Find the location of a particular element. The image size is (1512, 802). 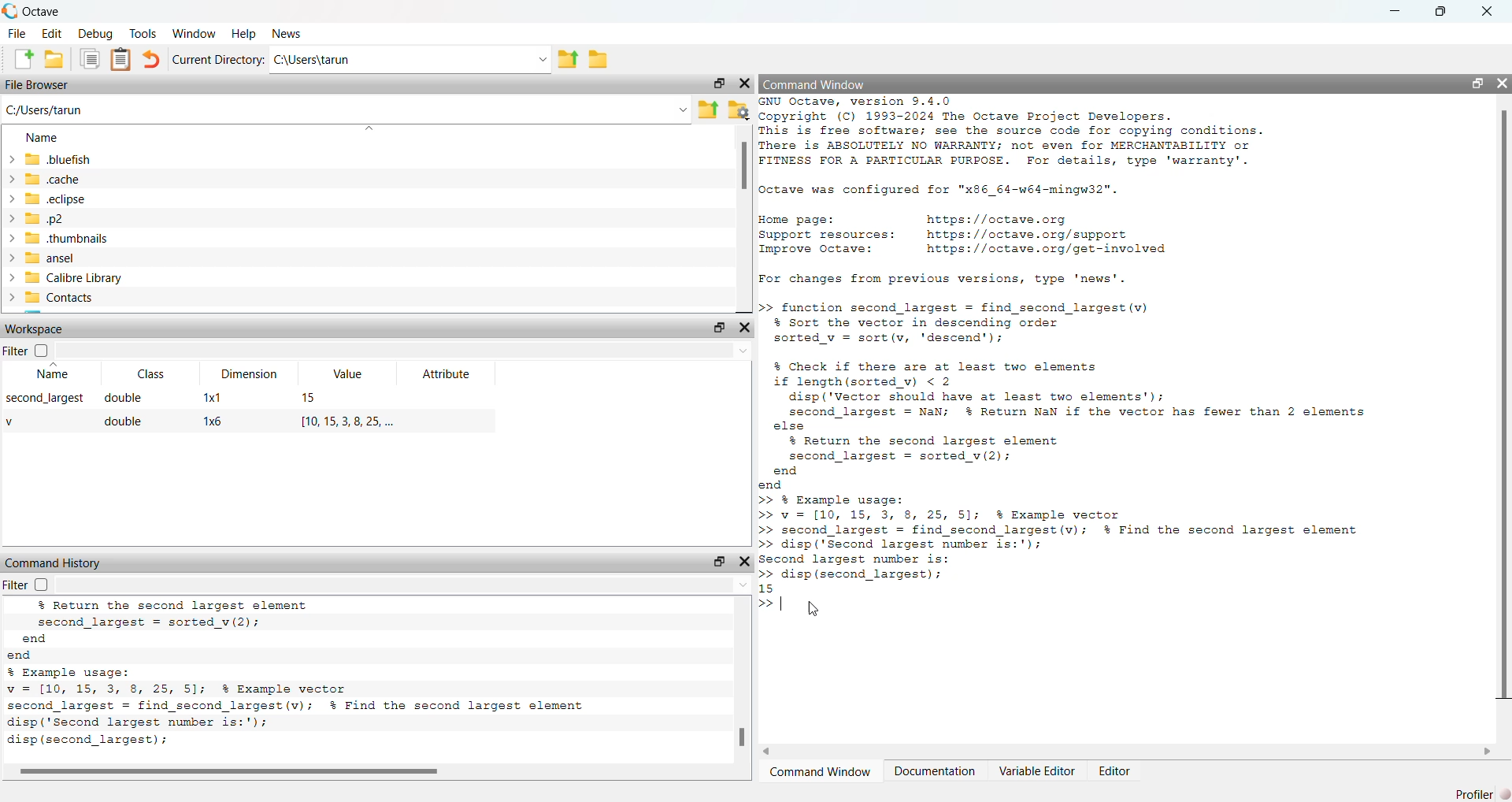

display the second largest number is located at coordinates (276, 742).